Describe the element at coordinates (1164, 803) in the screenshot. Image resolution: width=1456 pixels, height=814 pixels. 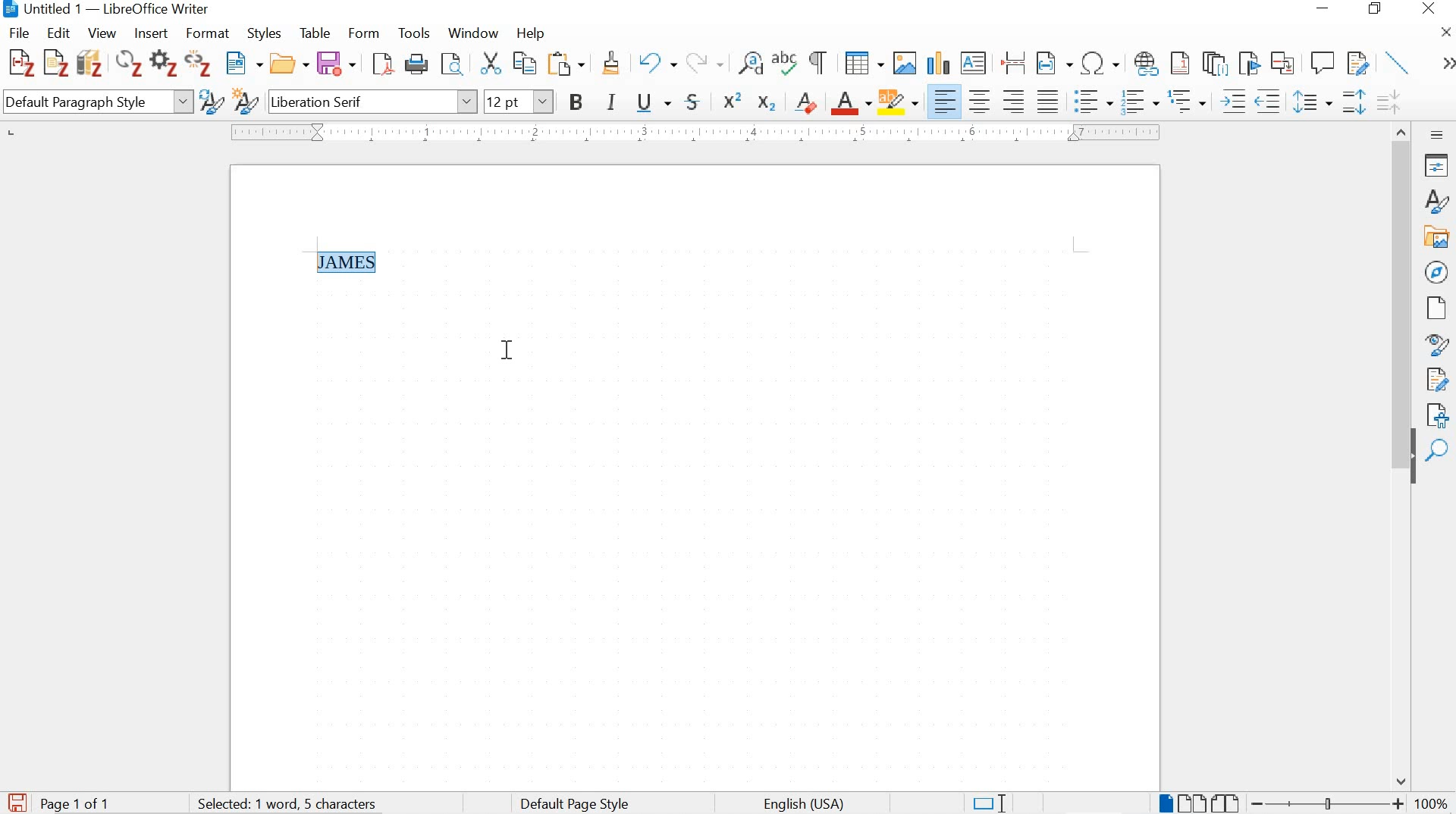
I see `single page view` at that location.